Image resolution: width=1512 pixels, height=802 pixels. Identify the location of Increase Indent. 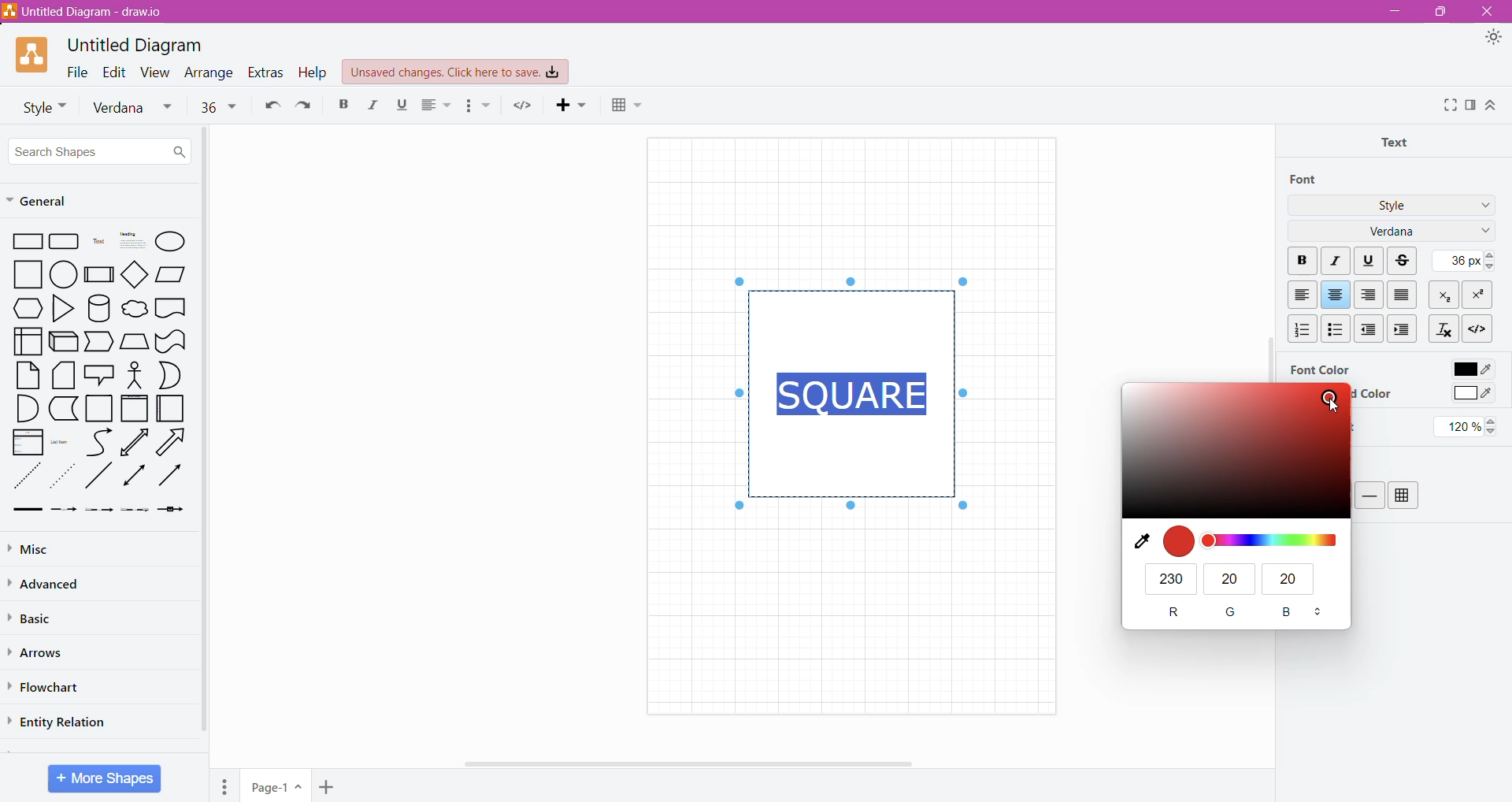
(1404, 329).